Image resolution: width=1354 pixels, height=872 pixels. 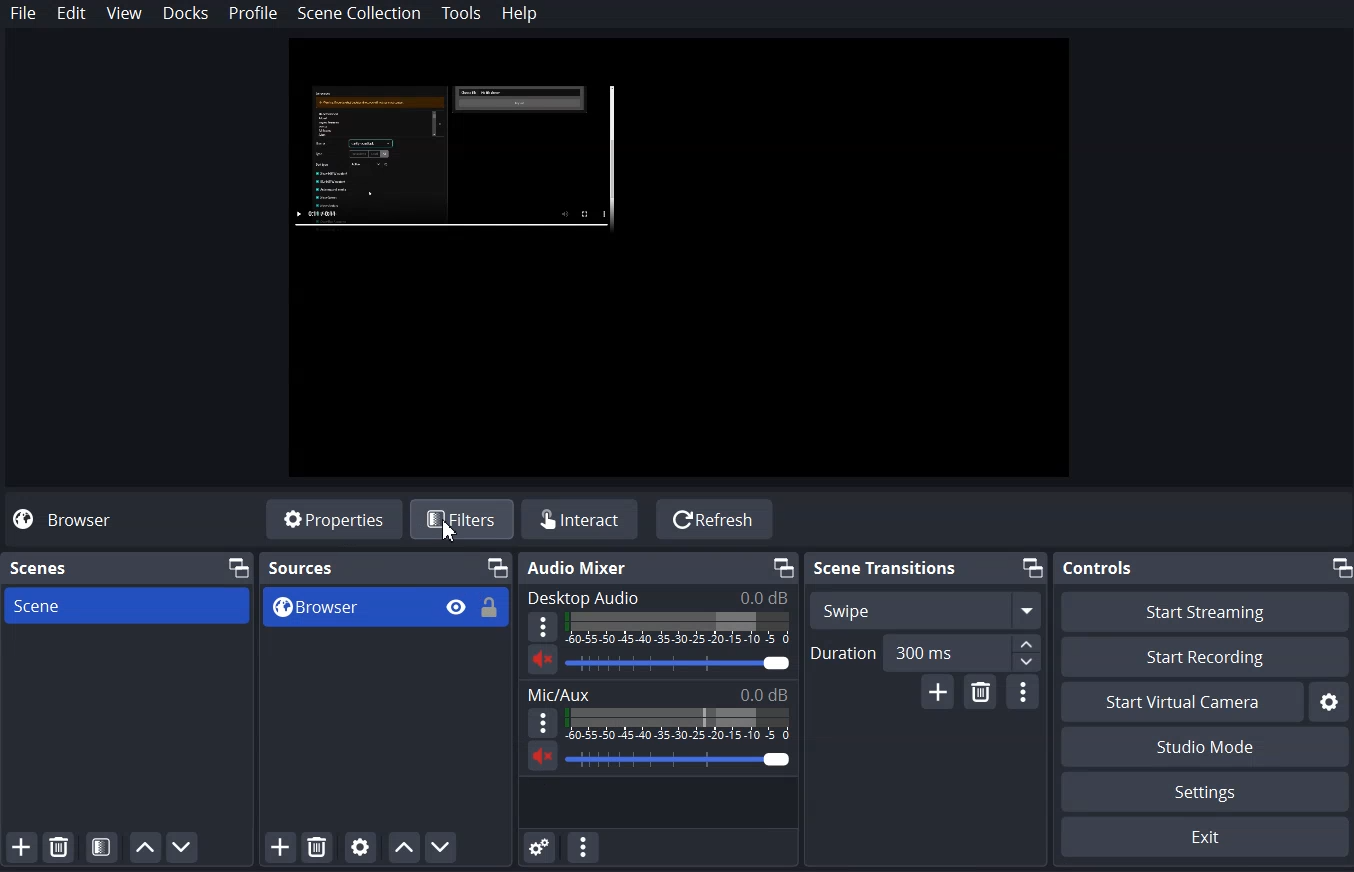 What do you see at coordinates (499, 567) in the screenshot?
I see `Maximize` at bounding box center [499, 567].